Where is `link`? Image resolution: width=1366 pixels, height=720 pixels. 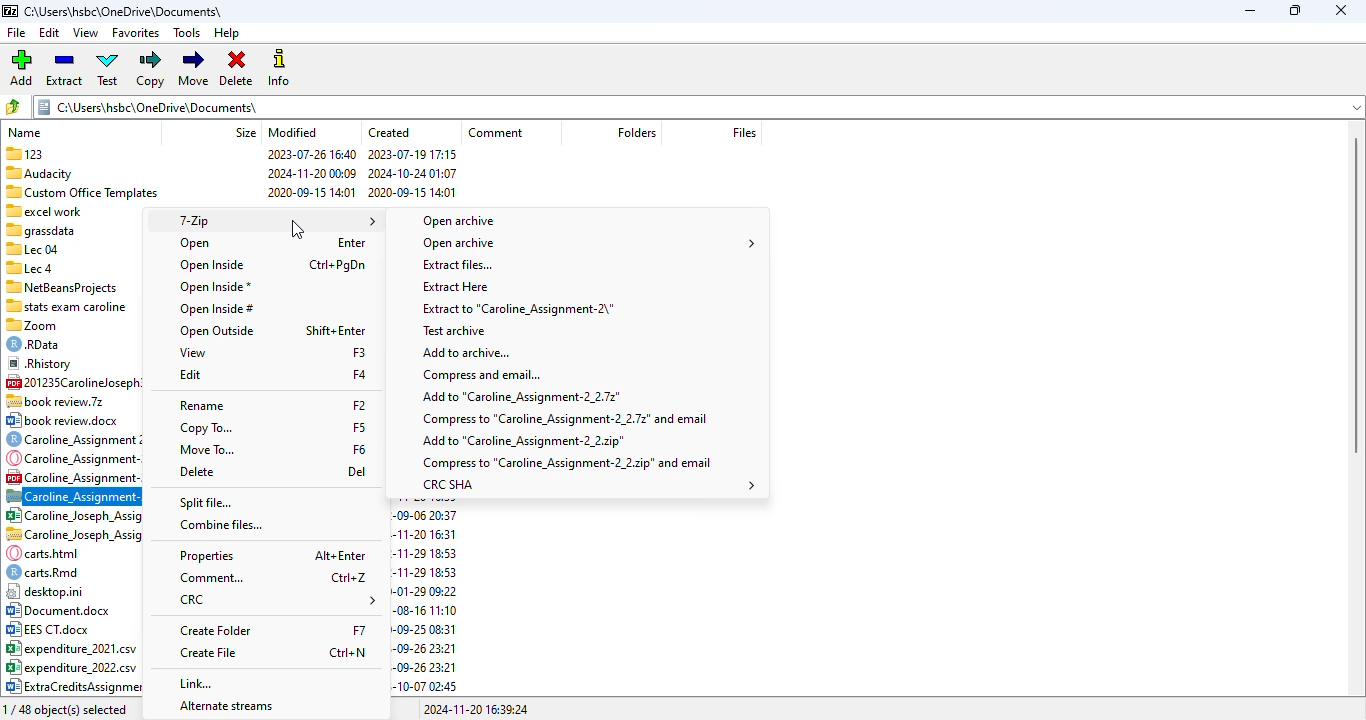 link is located at coordinates (196, 683).